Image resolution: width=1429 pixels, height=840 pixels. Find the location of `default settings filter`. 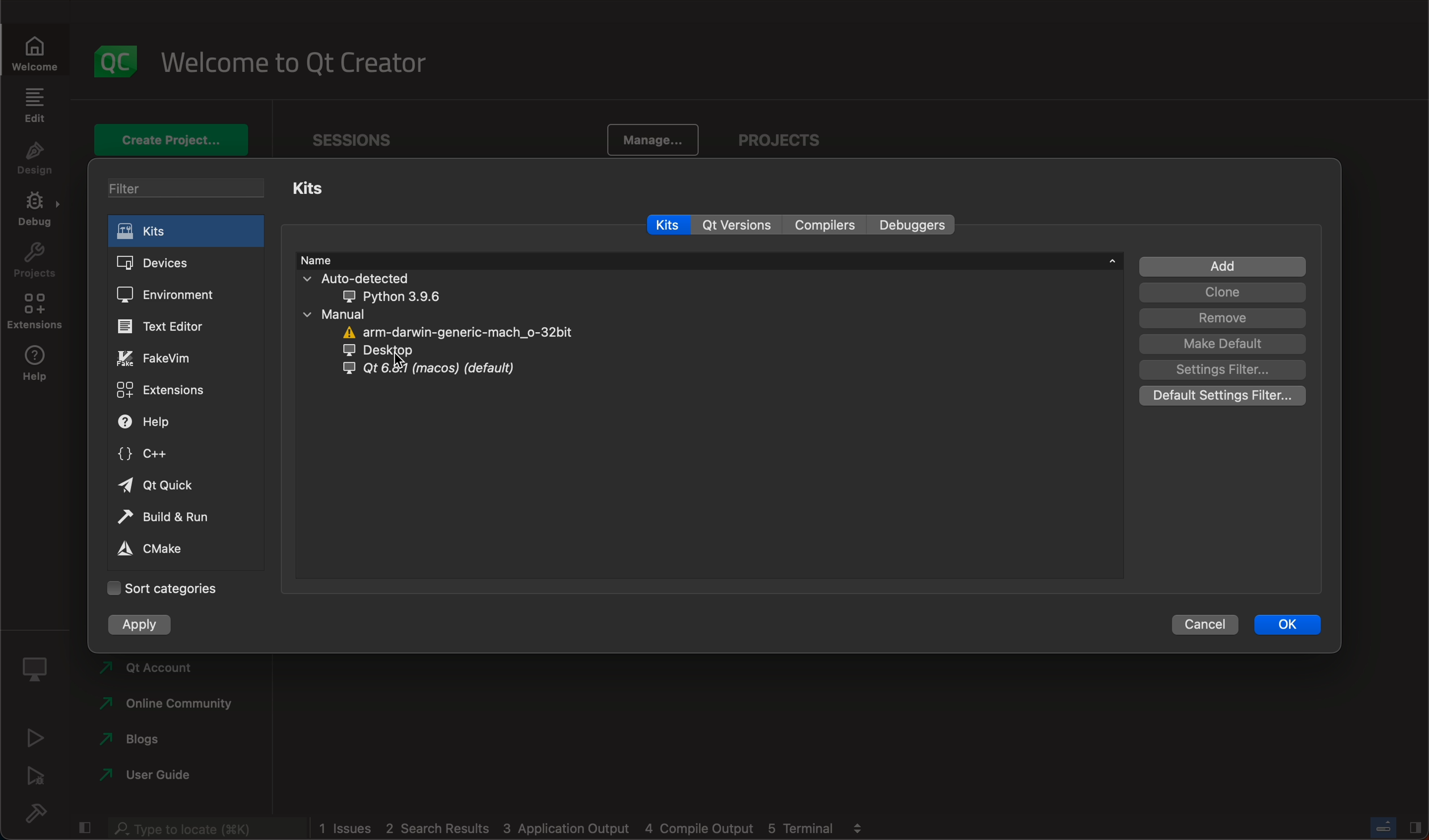

default settings filter is located at coordinates (1221, 395).